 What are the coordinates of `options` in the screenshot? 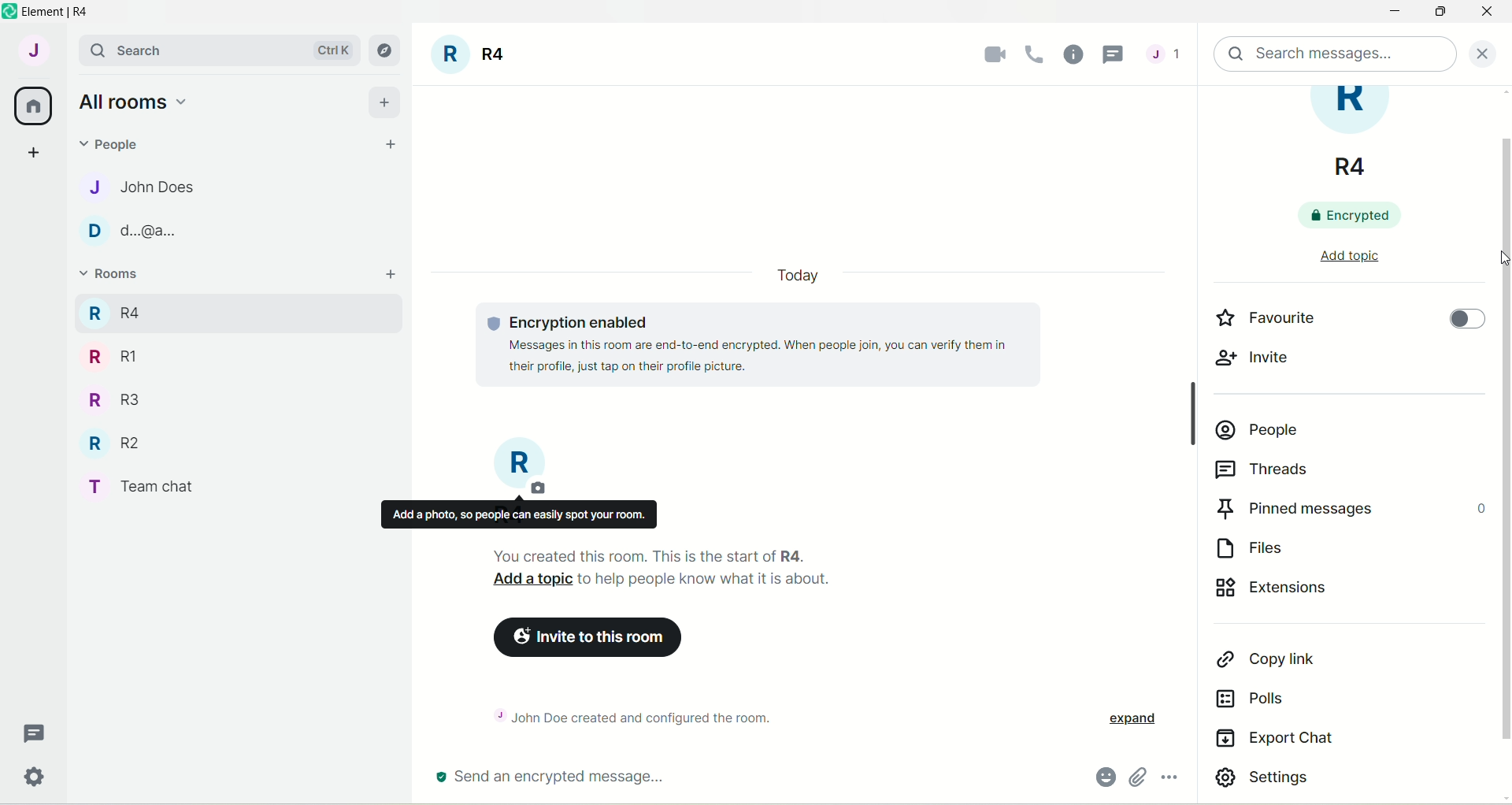 It's located at (1172, 779).